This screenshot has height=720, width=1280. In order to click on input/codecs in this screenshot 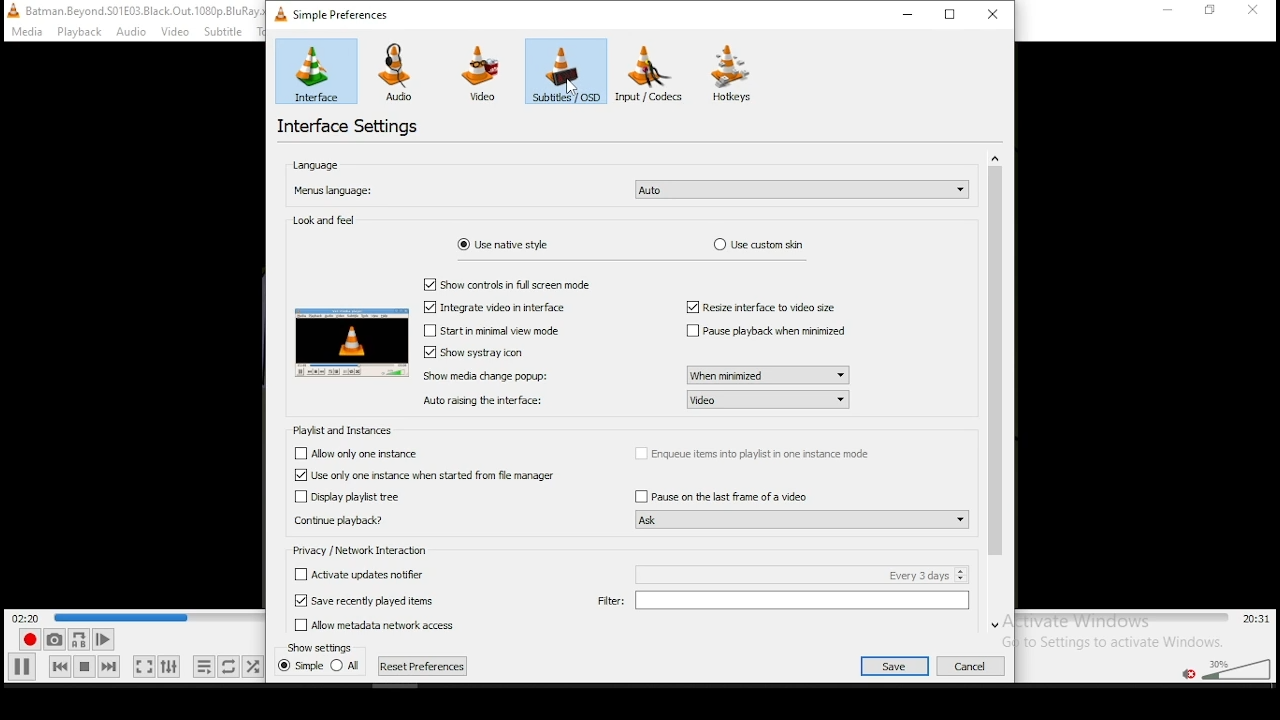, I will do `click(648, 73)`.